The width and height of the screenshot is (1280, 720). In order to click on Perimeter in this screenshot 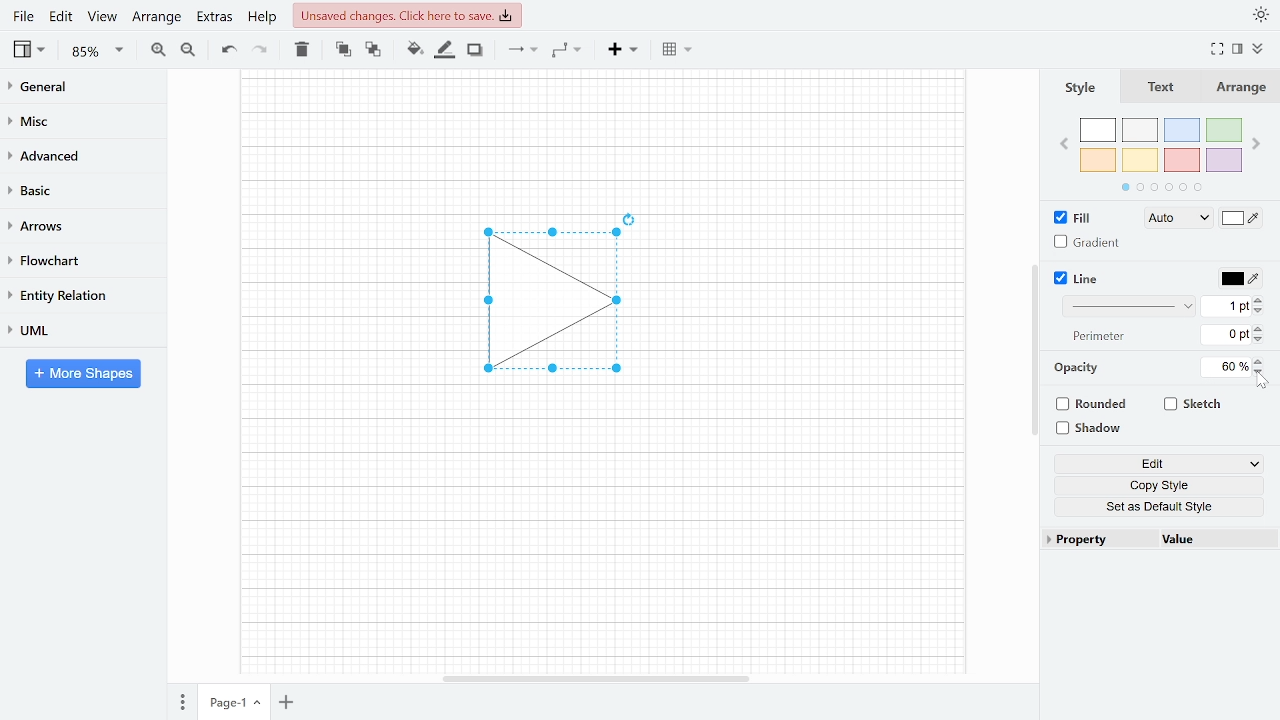, I will do `click(1095, 337)`.